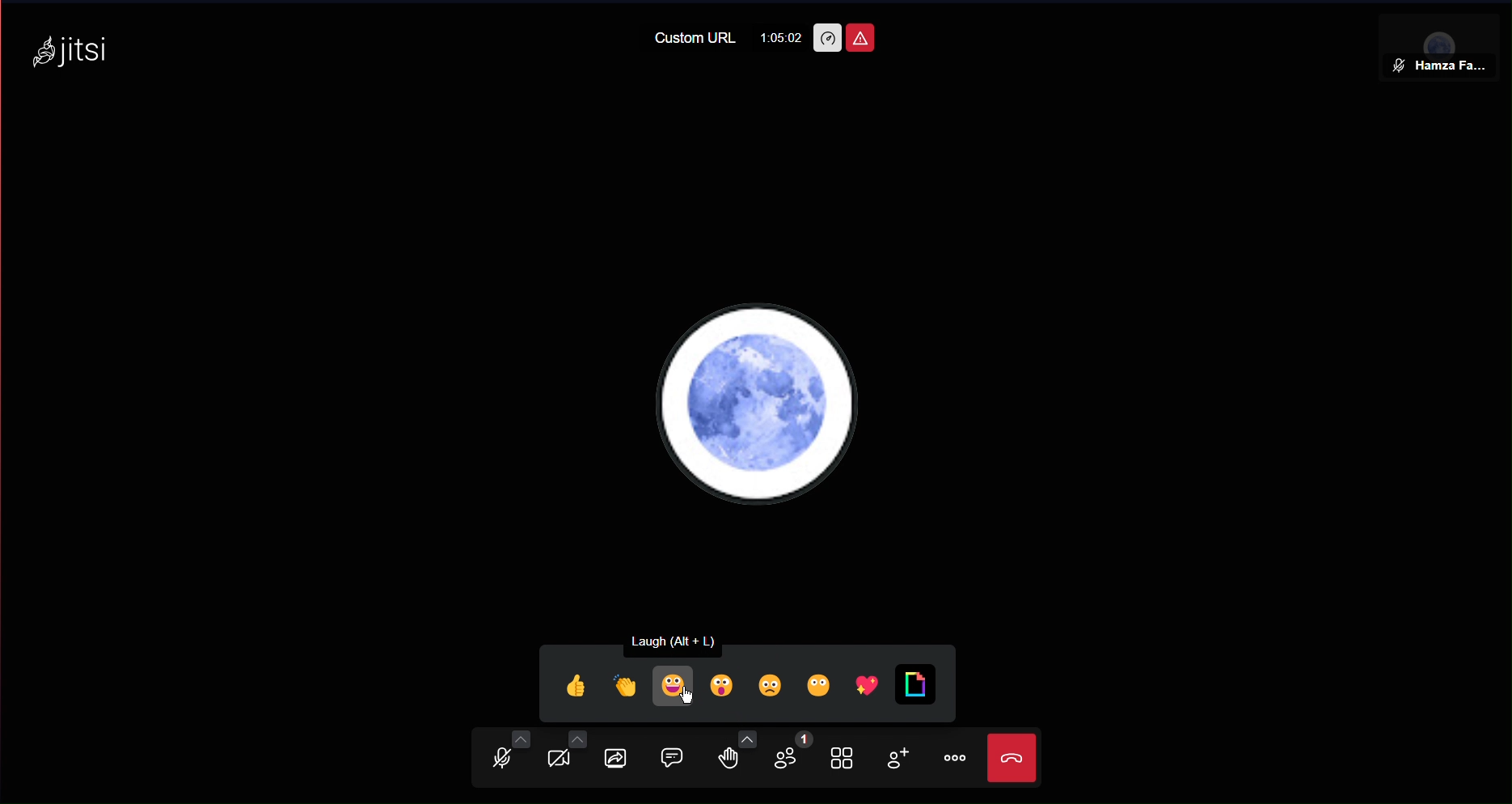  I want to click on Unsafe Meeting, so click(859, 38).